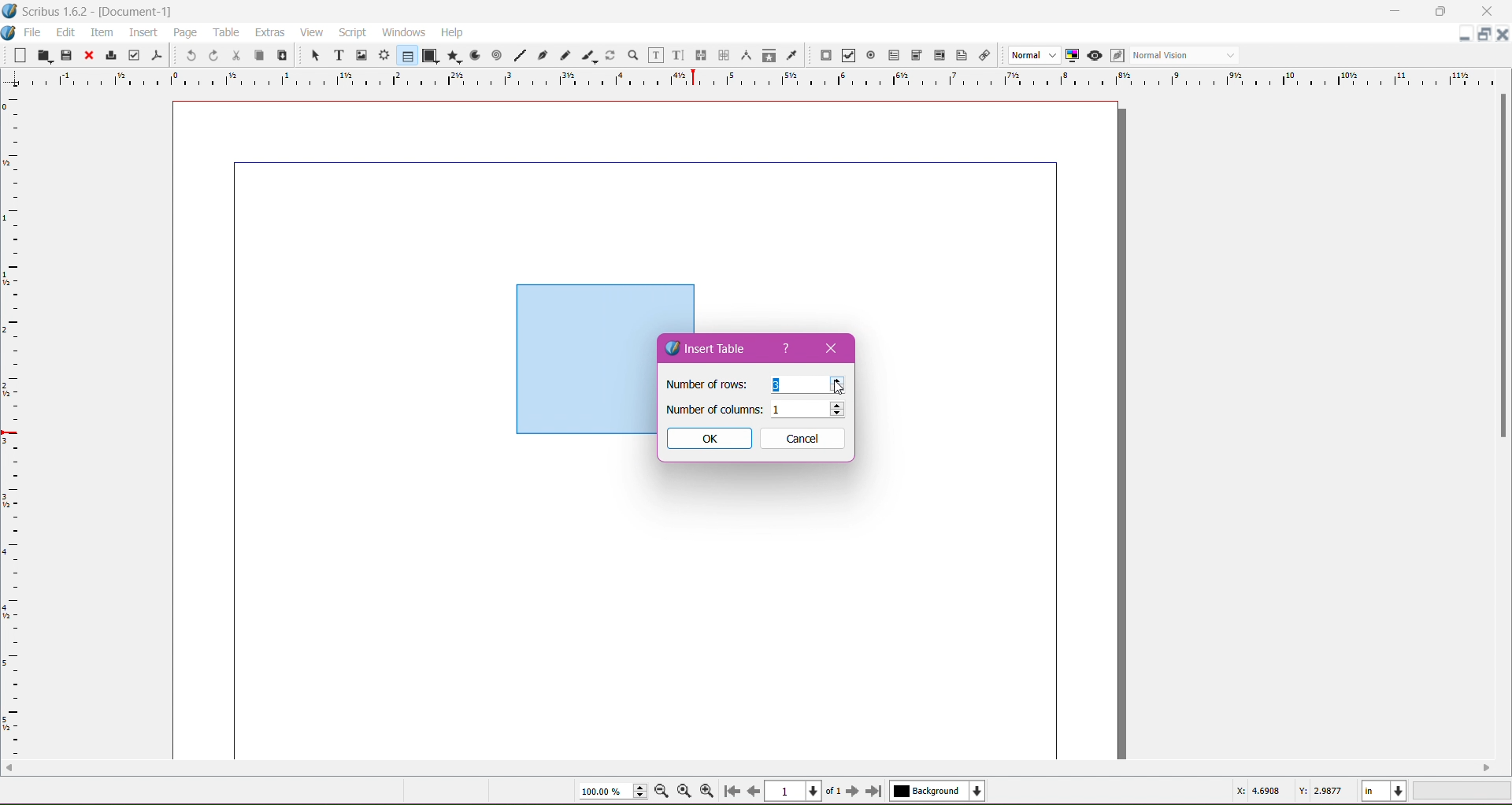  What do you see at coordinates (183, 32) in the screenshot?
I see `Page` at bounding box center [183, 32].